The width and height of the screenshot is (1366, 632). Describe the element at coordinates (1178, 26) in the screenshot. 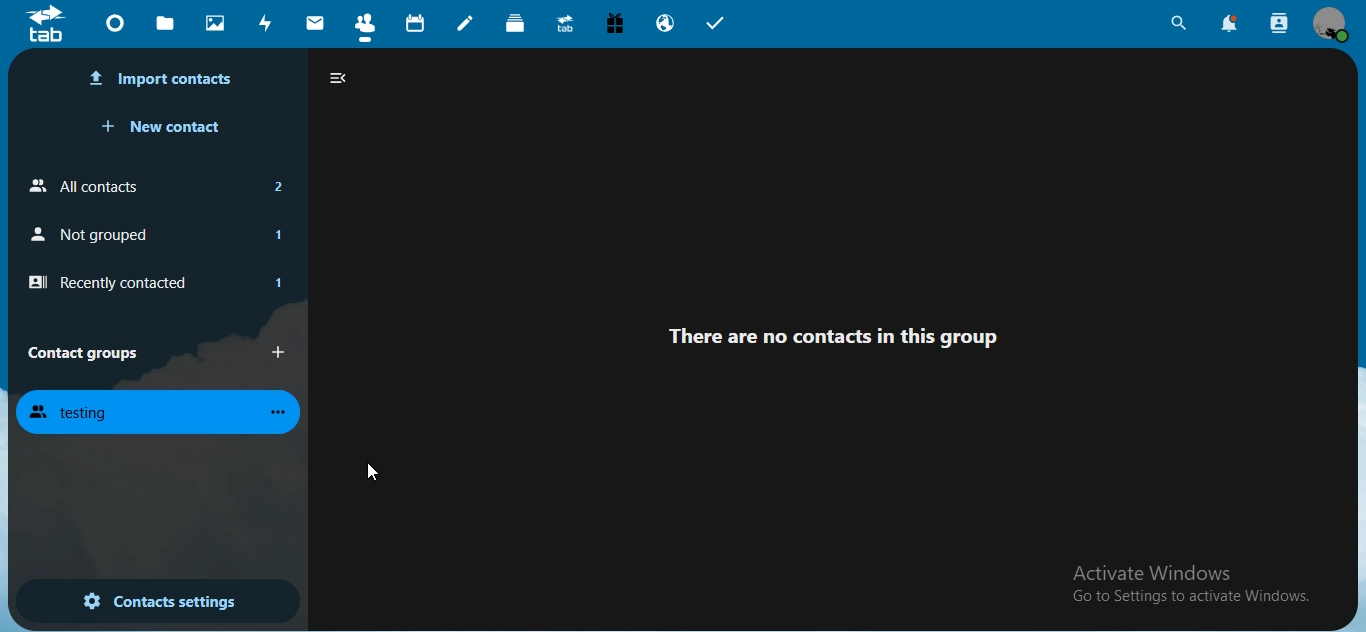

I see `unified search` at that location.